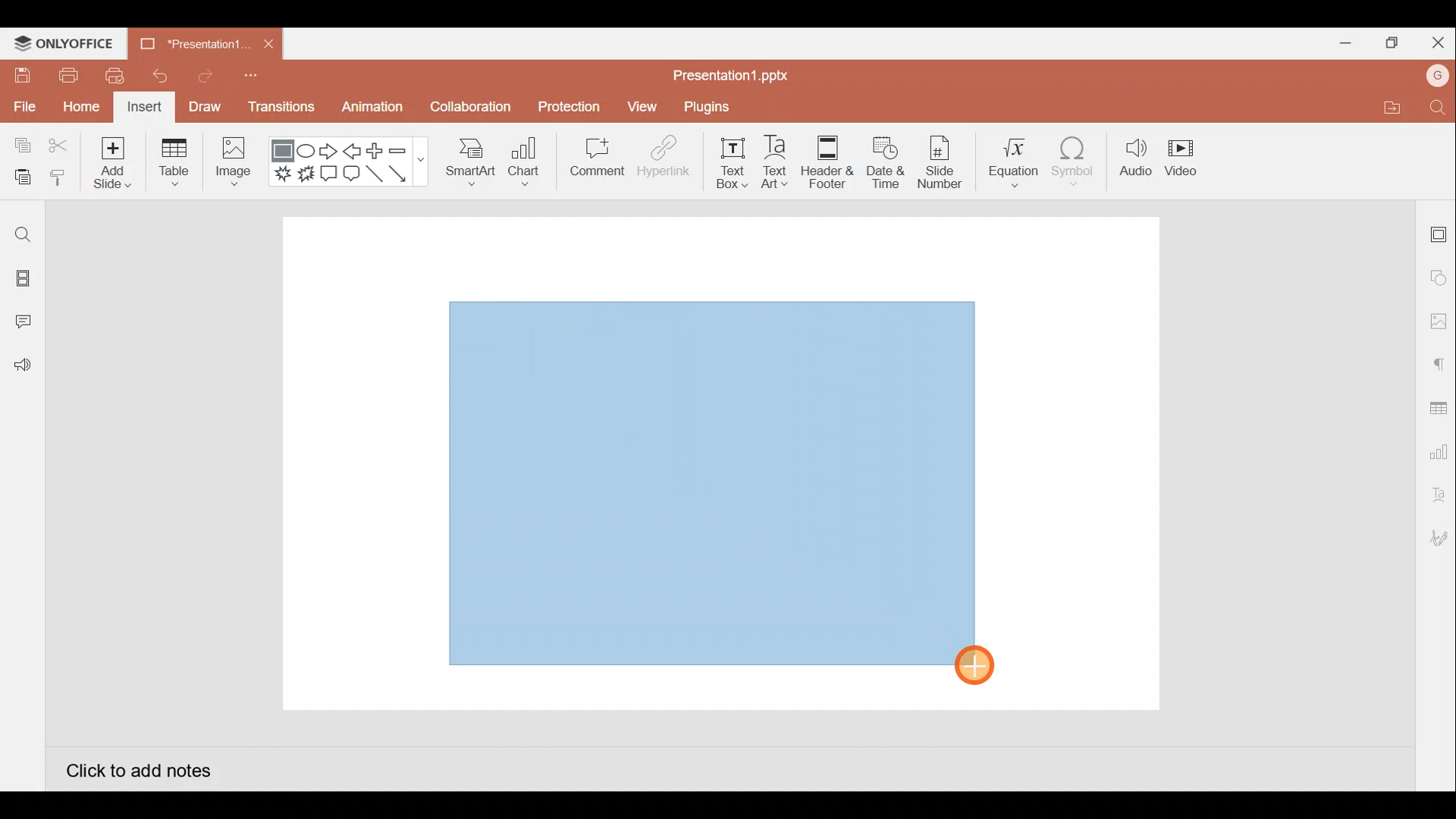 The height and width of the screenshot is (819, 1456). Describe the element at coordinates (19, 178) in the screenshot. I see `Paste` at that location.